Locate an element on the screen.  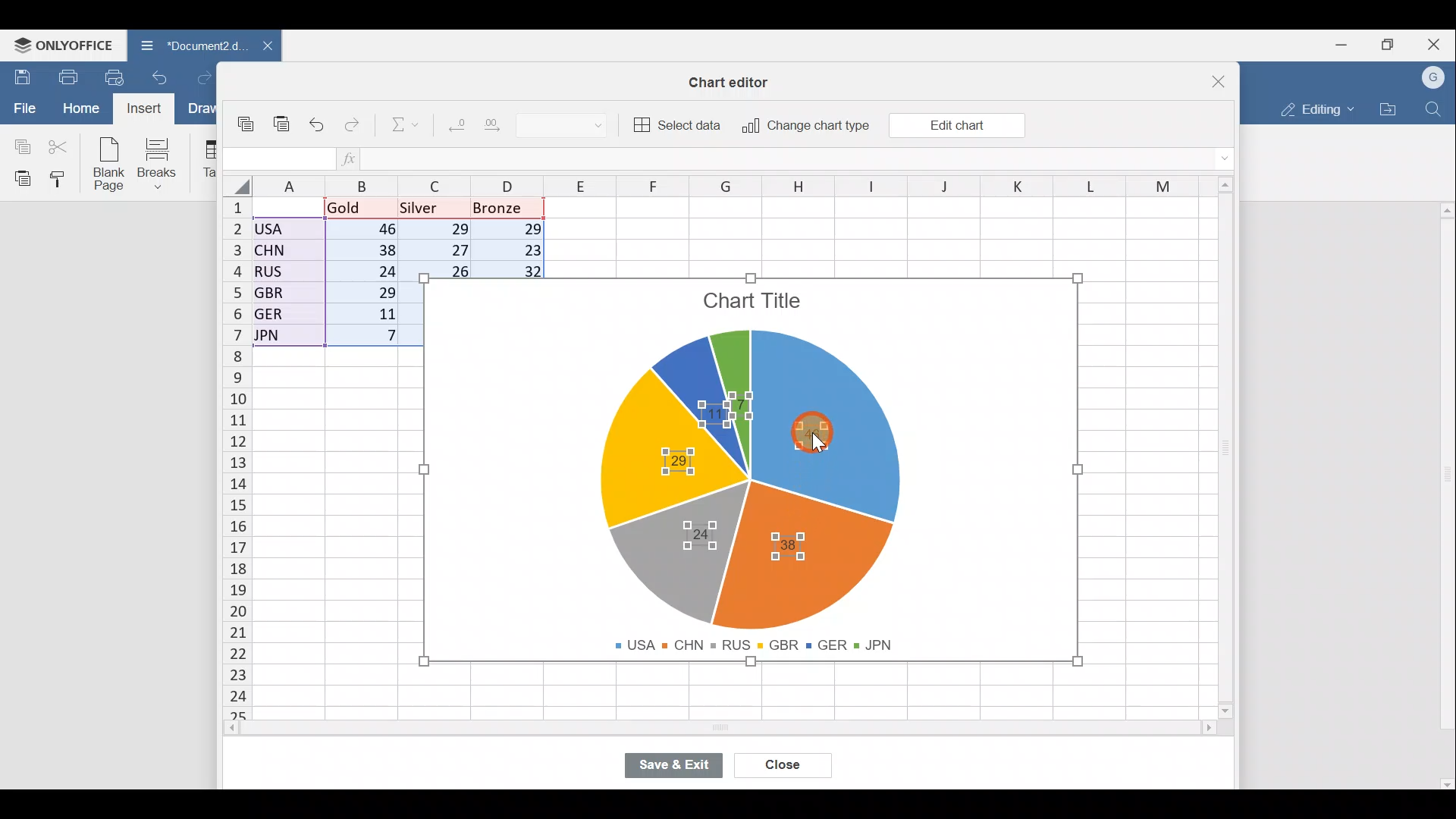
Cut is located at coordinates (59, 146).